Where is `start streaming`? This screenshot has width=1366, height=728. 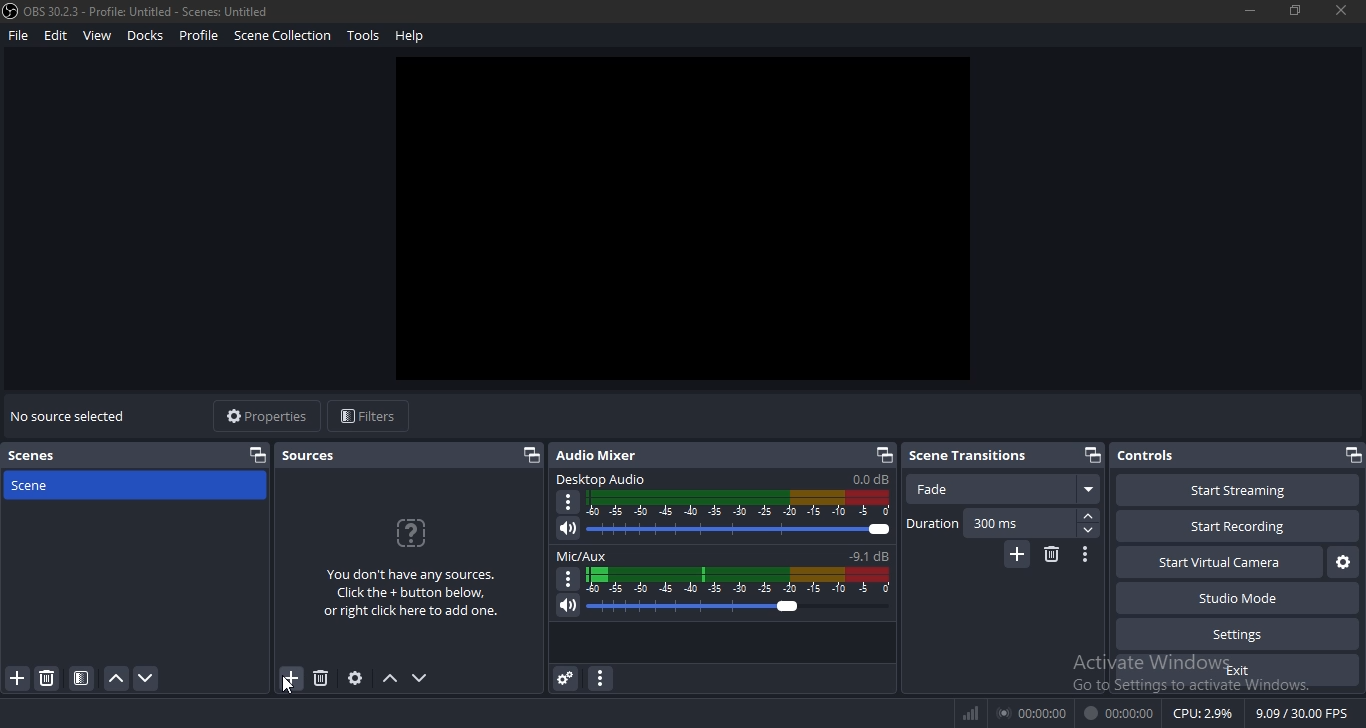 start streaming is located at coordinates (1226, 490).